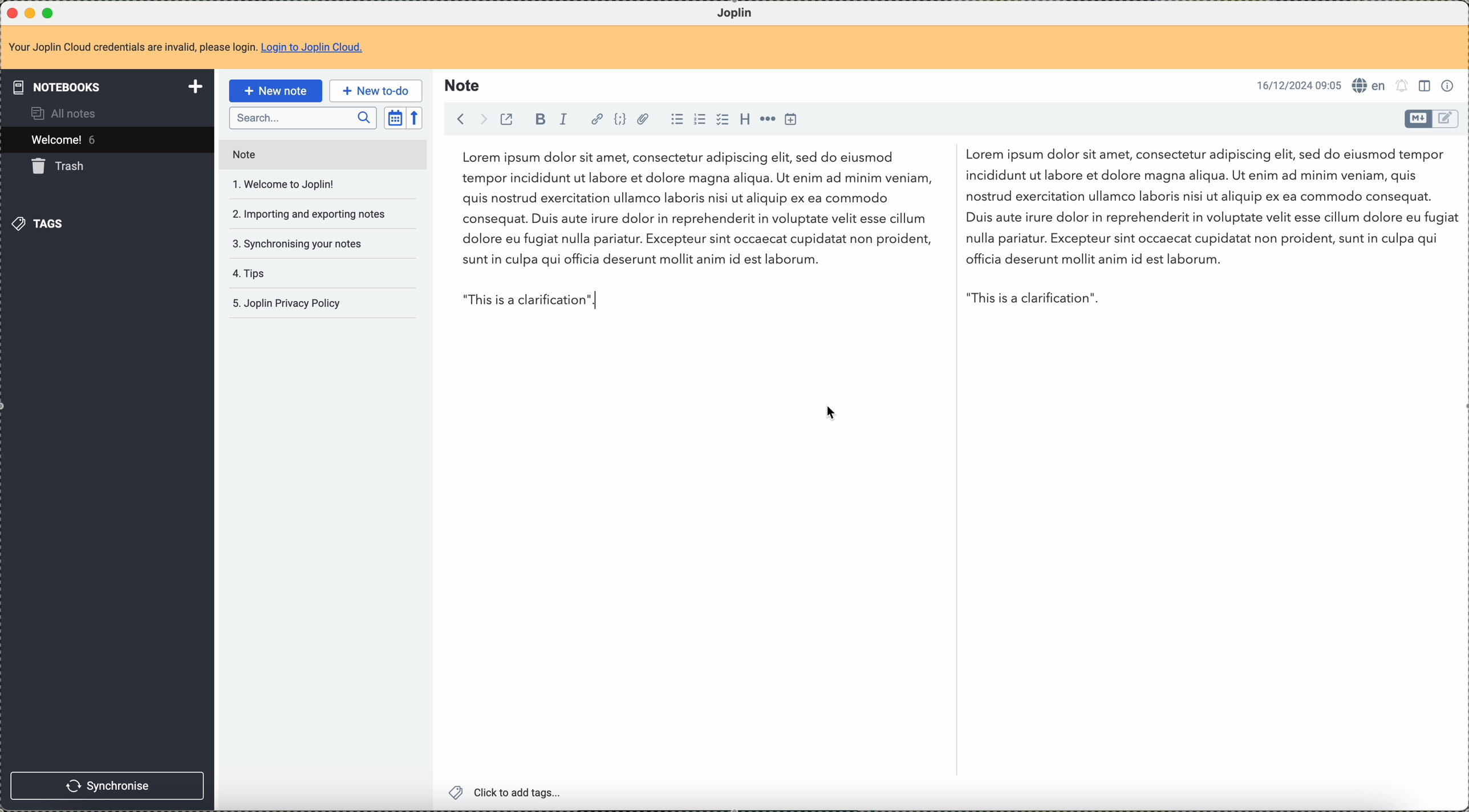  What do you see at coordinates (769, 121) in the screenshot?
I see `horizontal rule` at bounding box center [769, 121].